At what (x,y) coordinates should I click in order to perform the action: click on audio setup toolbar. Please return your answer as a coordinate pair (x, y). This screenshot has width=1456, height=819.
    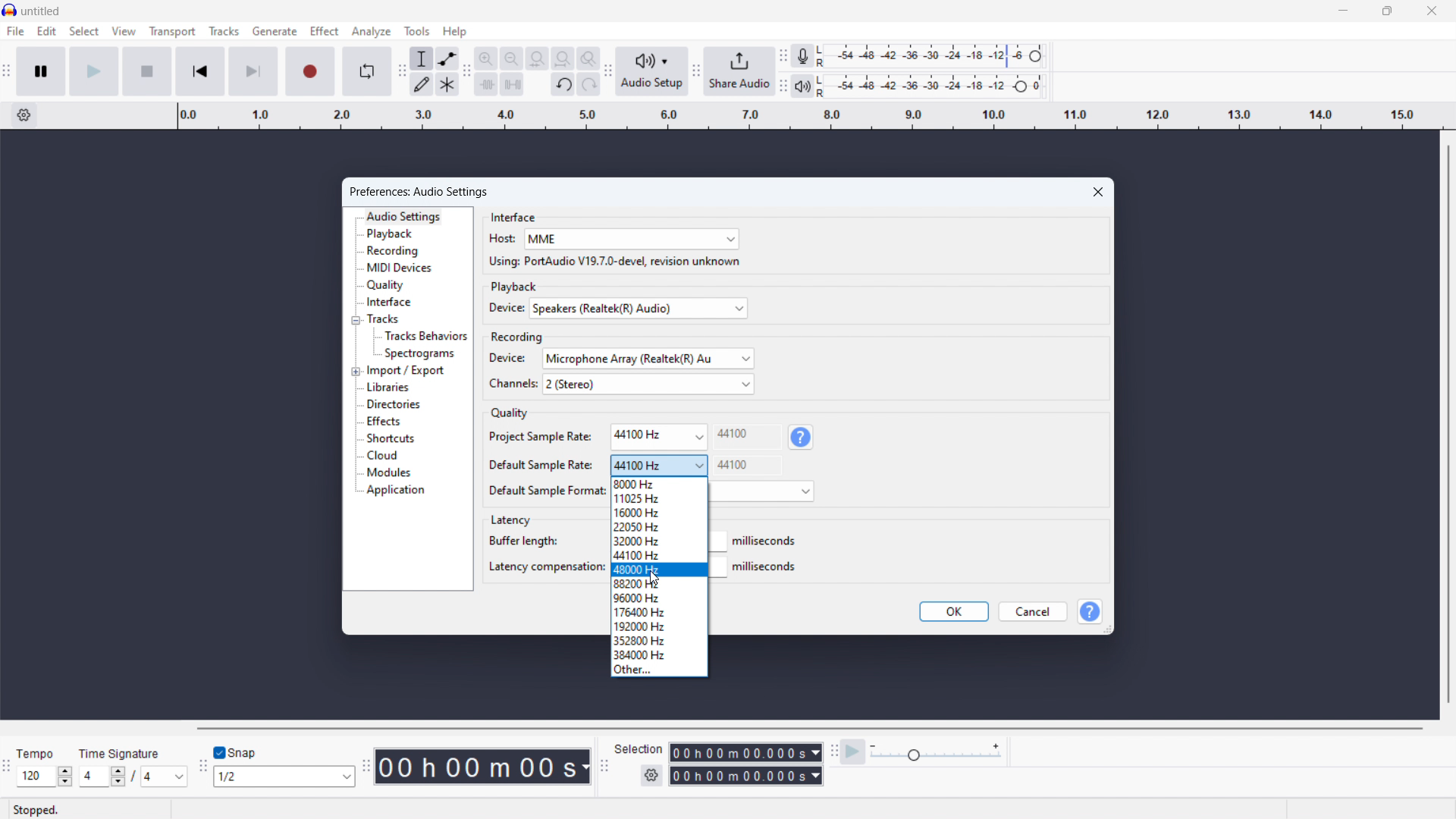
    Looking at the image, I should click on (607, 71).